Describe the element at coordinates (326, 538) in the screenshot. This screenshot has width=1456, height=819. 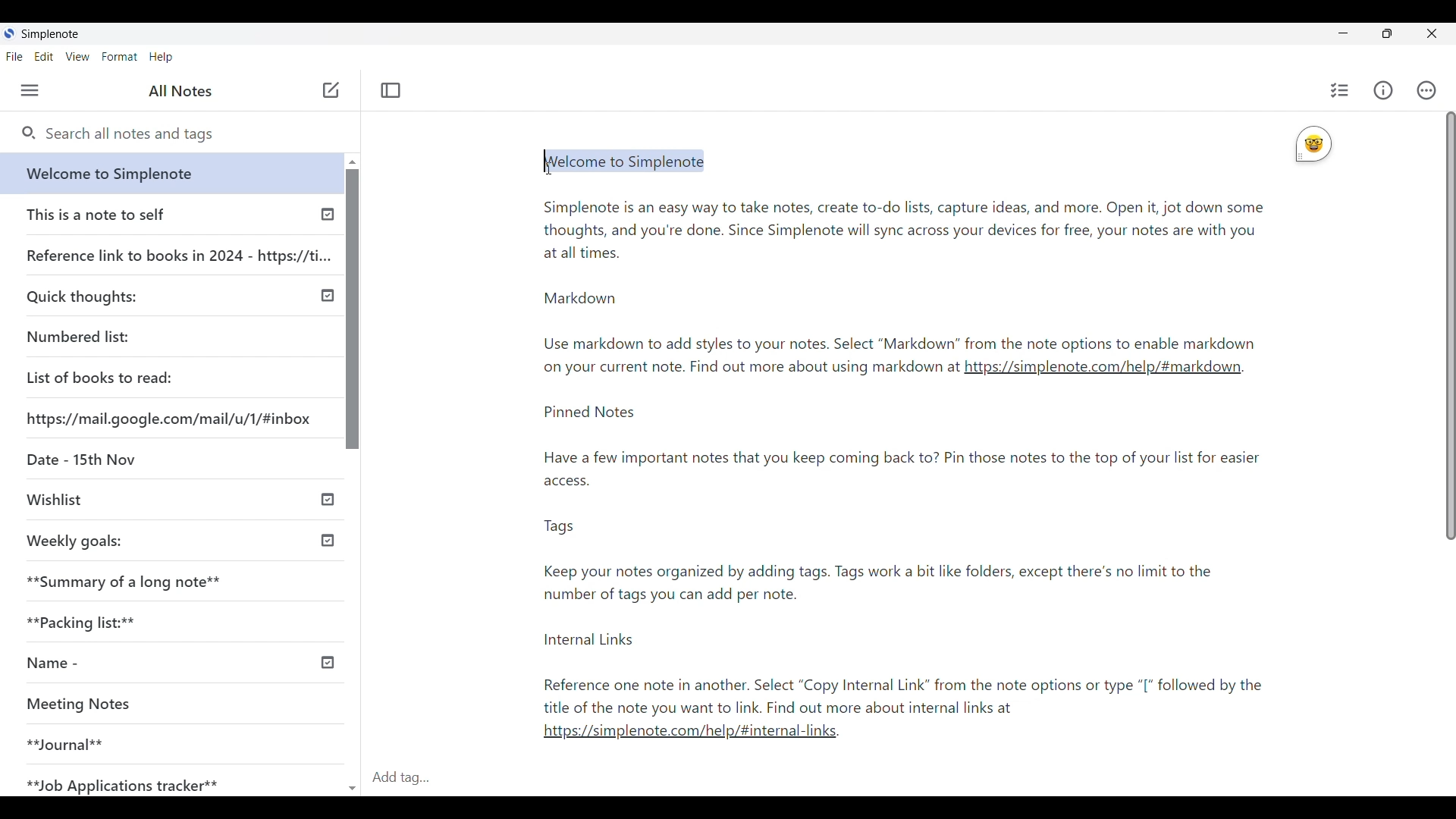
I see `Check icon indicates published notes` at that location.